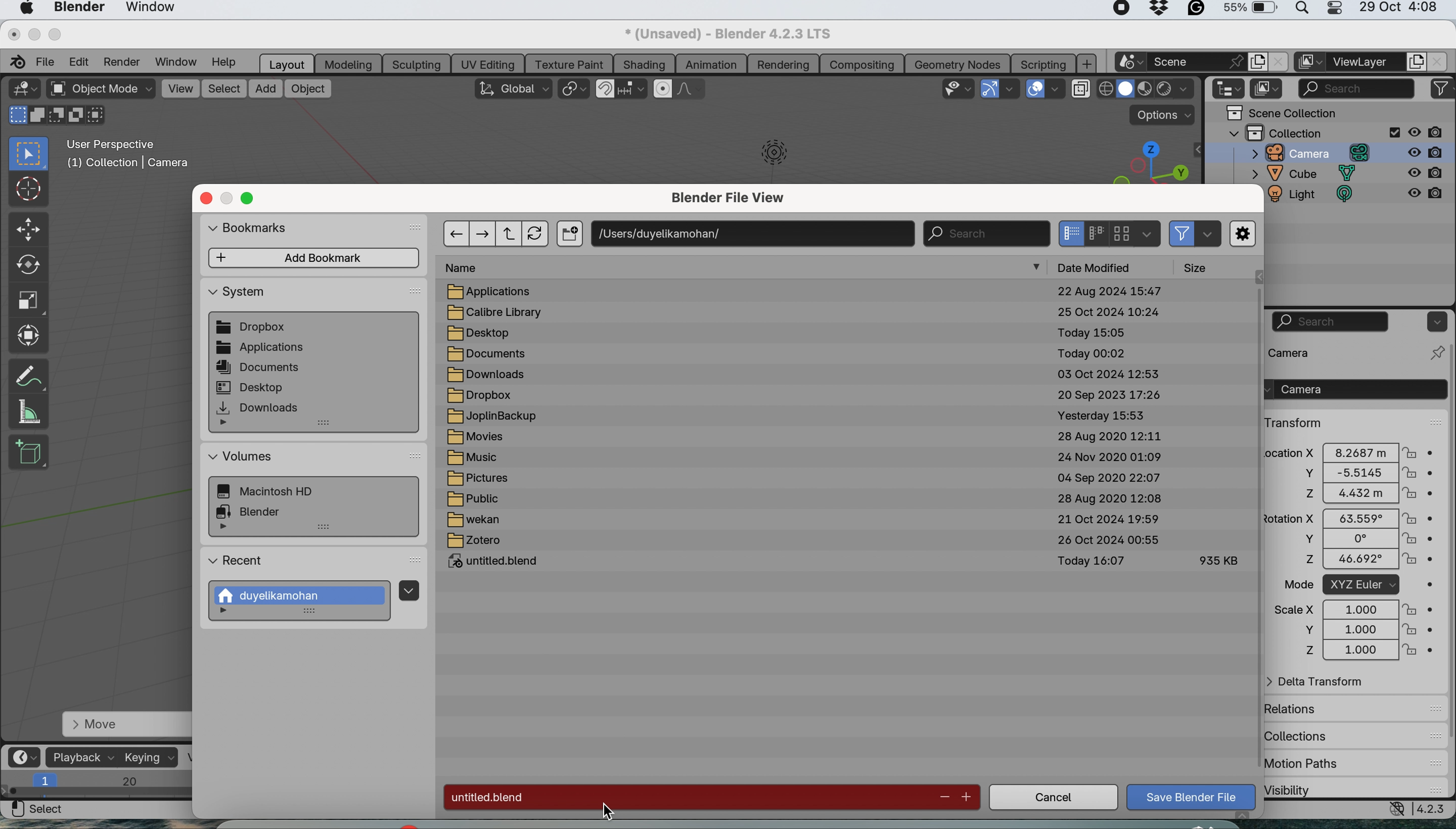  I want to click on render, so click(125, 61).